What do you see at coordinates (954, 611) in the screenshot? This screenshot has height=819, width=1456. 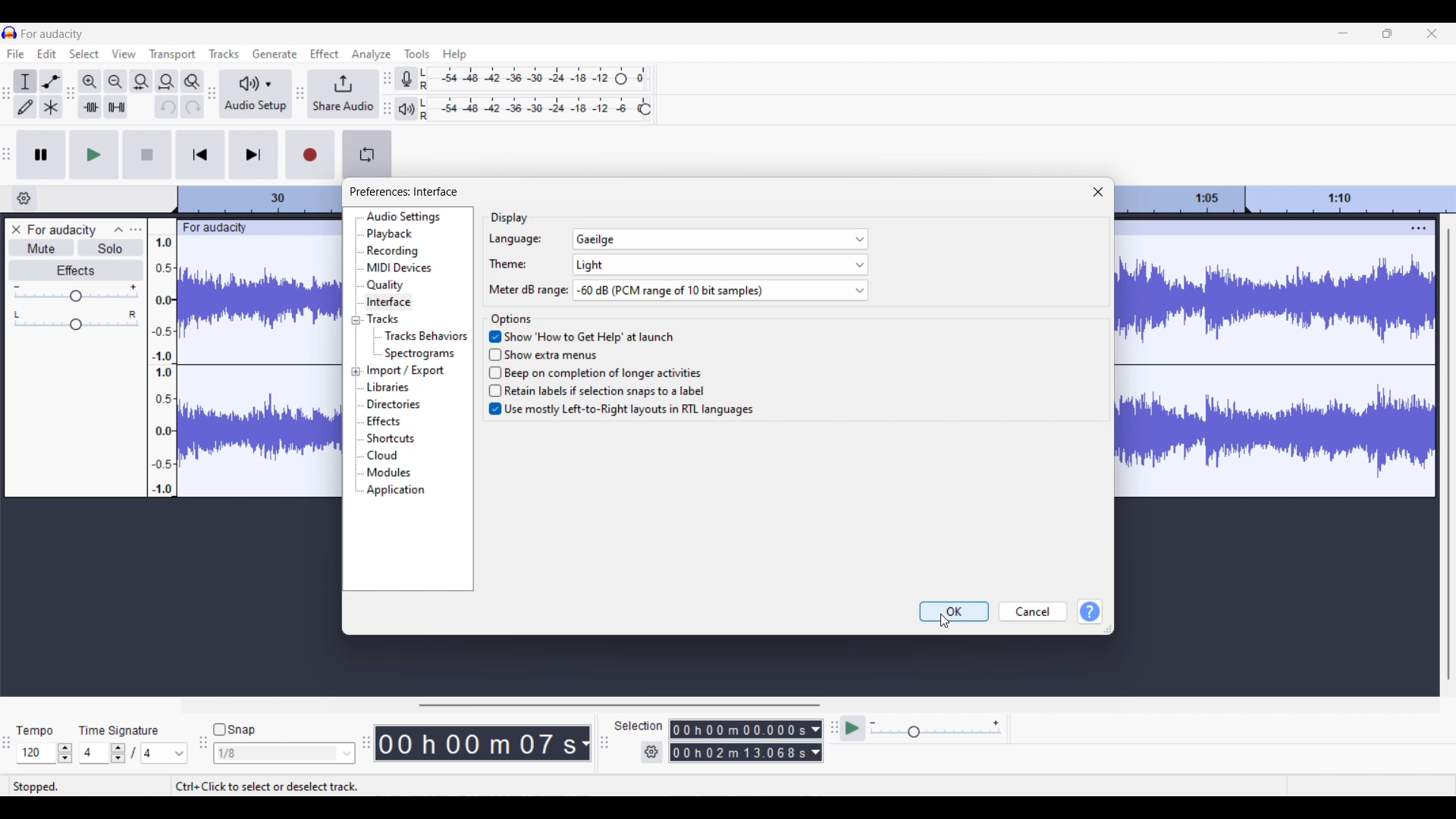 I see `OK highlighted by cursor` at bounding box center [954, 611].